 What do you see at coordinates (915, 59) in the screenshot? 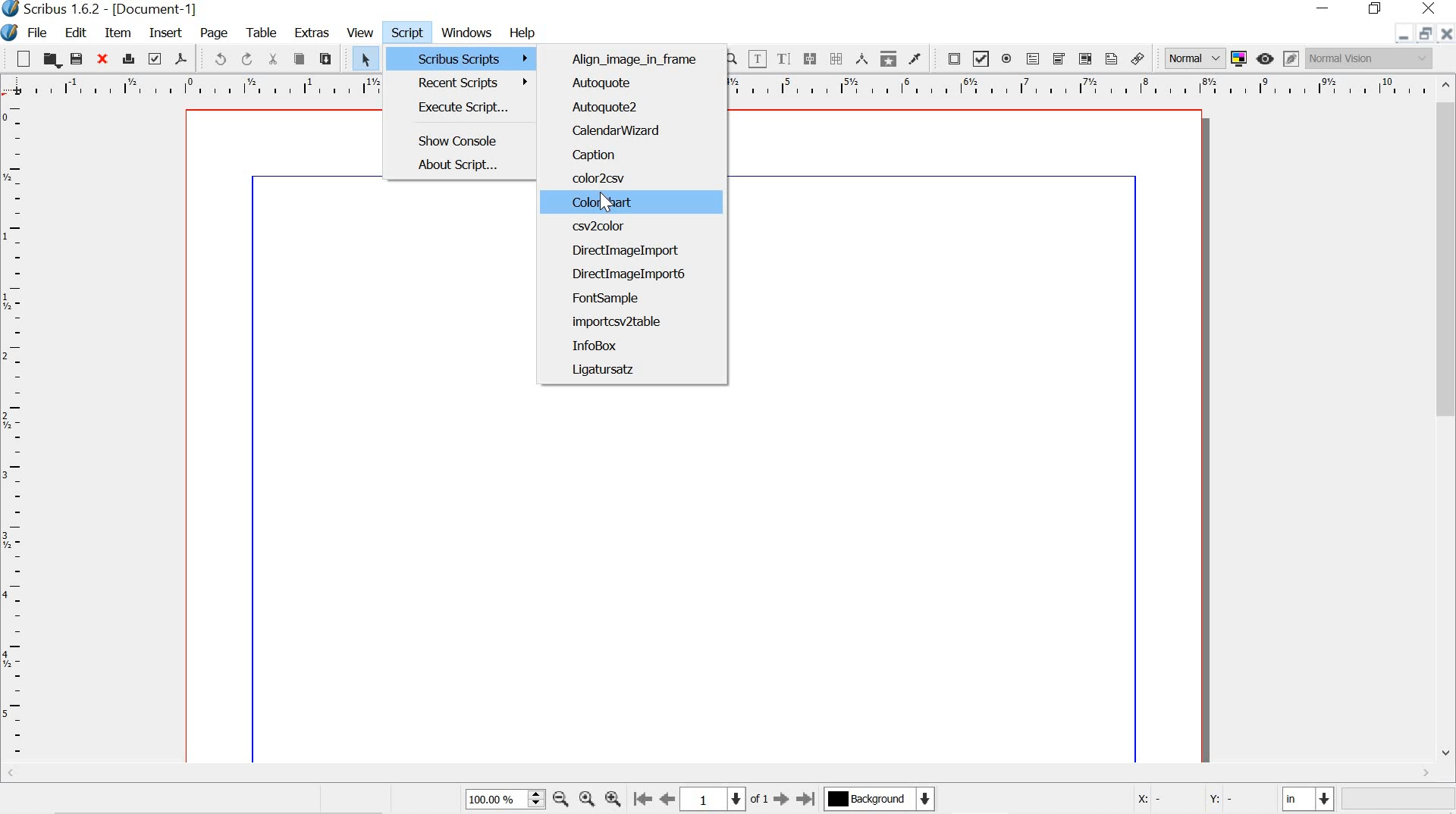
I see `eye dropper` at bounding box center [915, 59].